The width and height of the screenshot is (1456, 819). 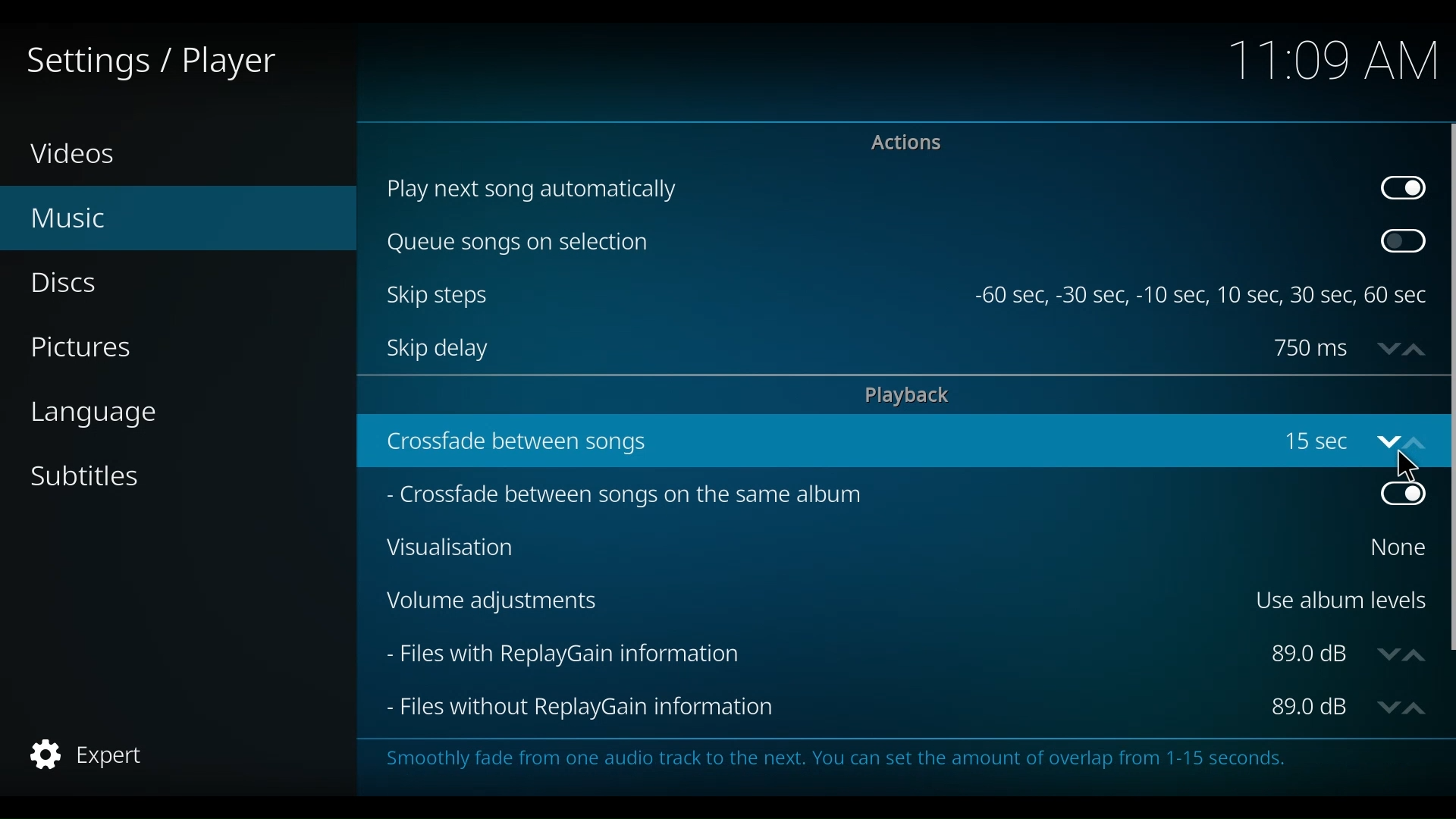 What do you see at coordinates (817, 654) in the screenshot?
I see `Files with ReplayGain Information` at bounding box center [817, 654].